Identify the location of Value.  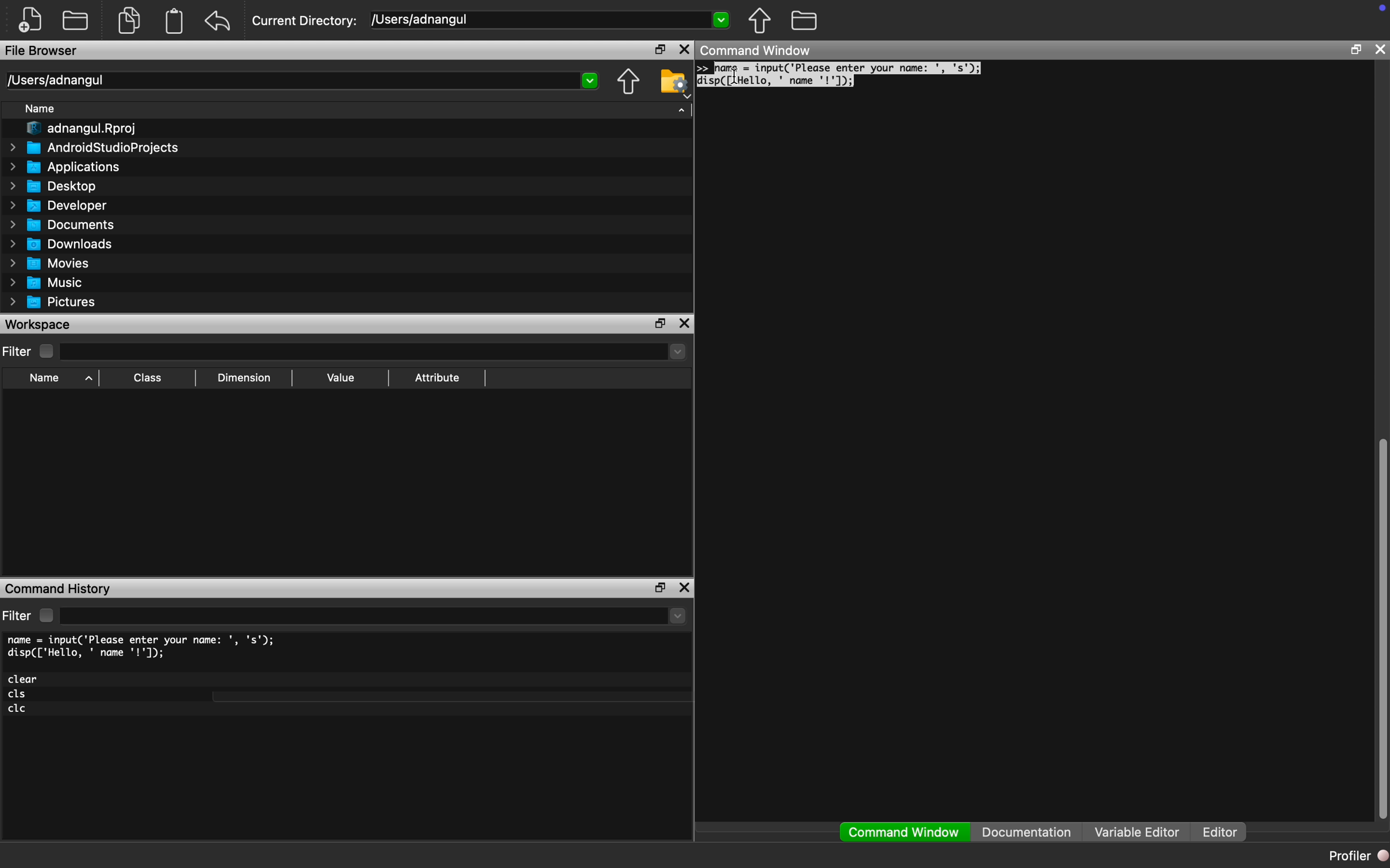
(341, 377).